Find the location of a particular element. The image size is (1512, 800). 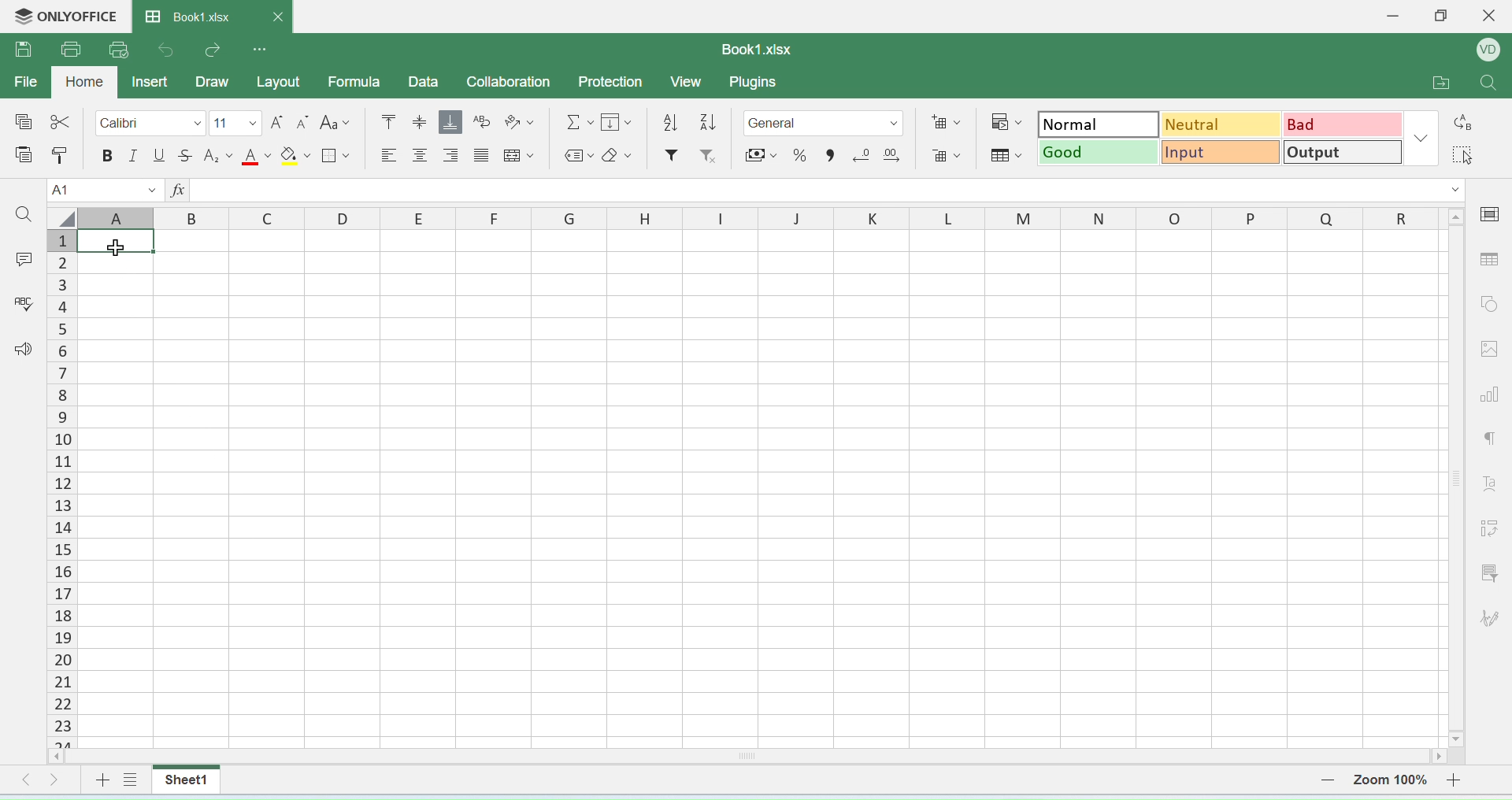

align left is located at coordinates (386, 156).